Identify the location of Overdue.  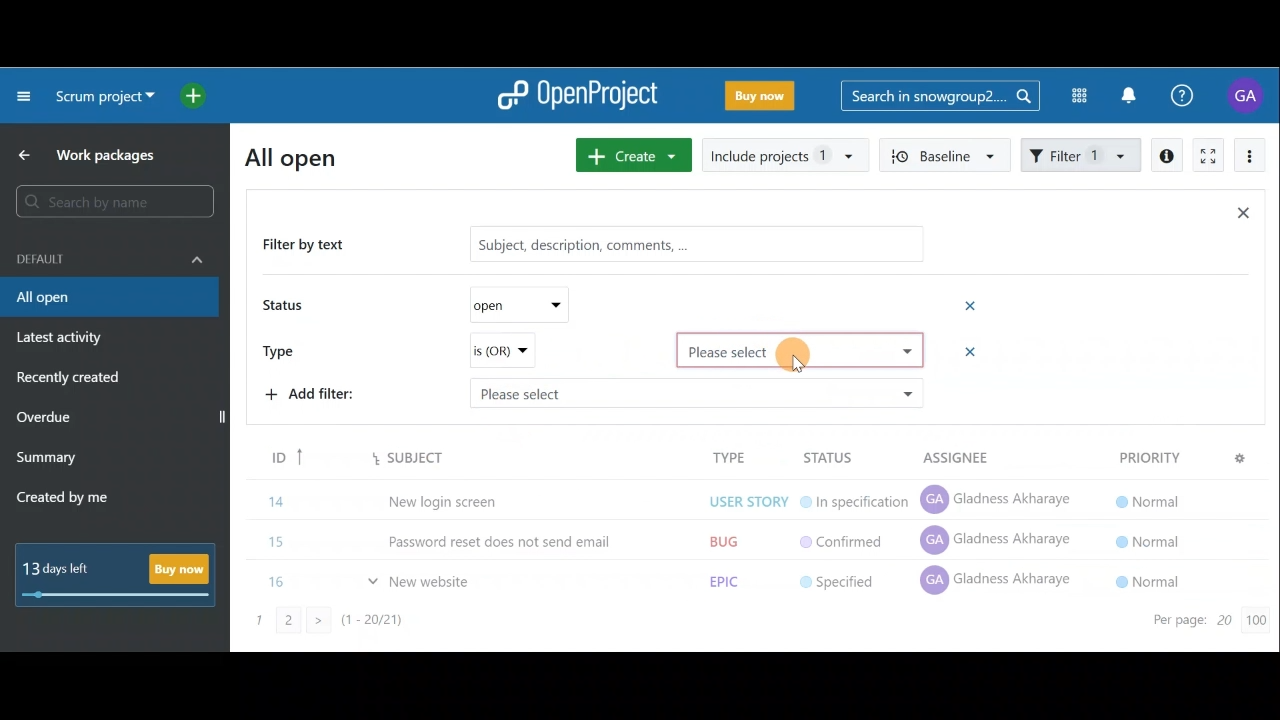
(46, 419).